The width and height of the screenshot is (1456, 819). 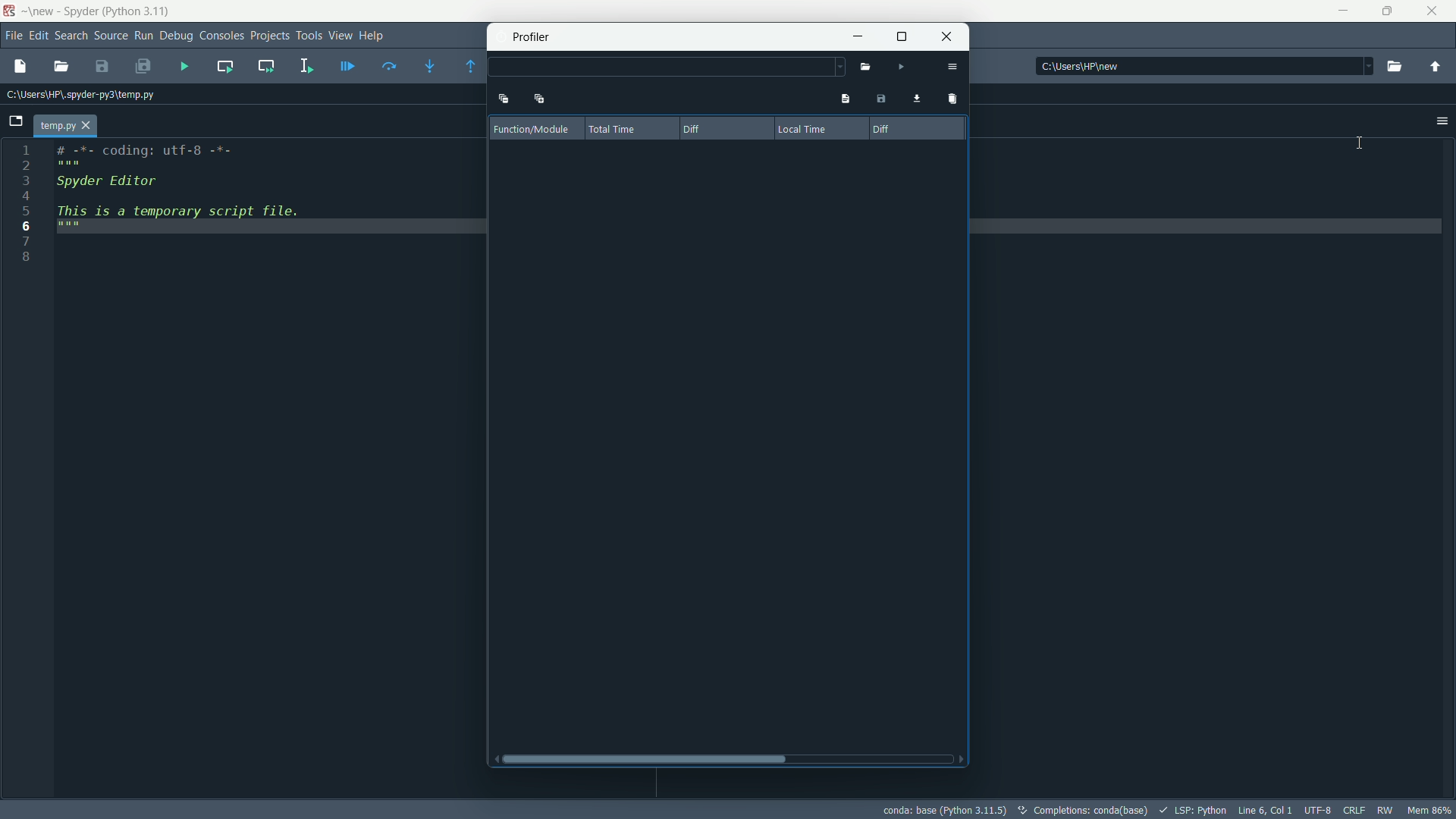 I want to click on consoles menu, so click(x=220, y=36).